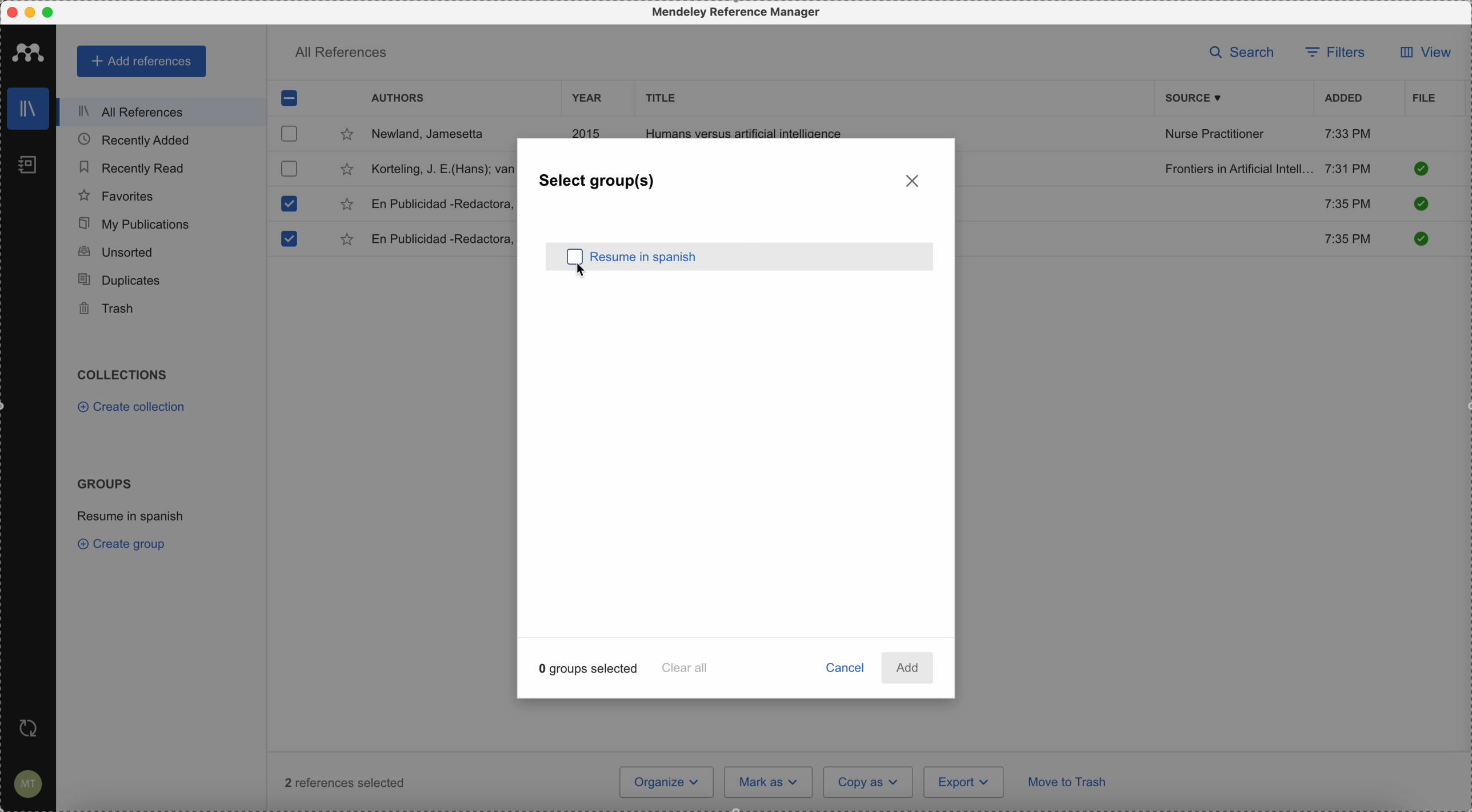 This screenshot has width=1472, height=812. Describe the element at coordinates (346, 205) in the screenshot. I see `favorite` at that location.